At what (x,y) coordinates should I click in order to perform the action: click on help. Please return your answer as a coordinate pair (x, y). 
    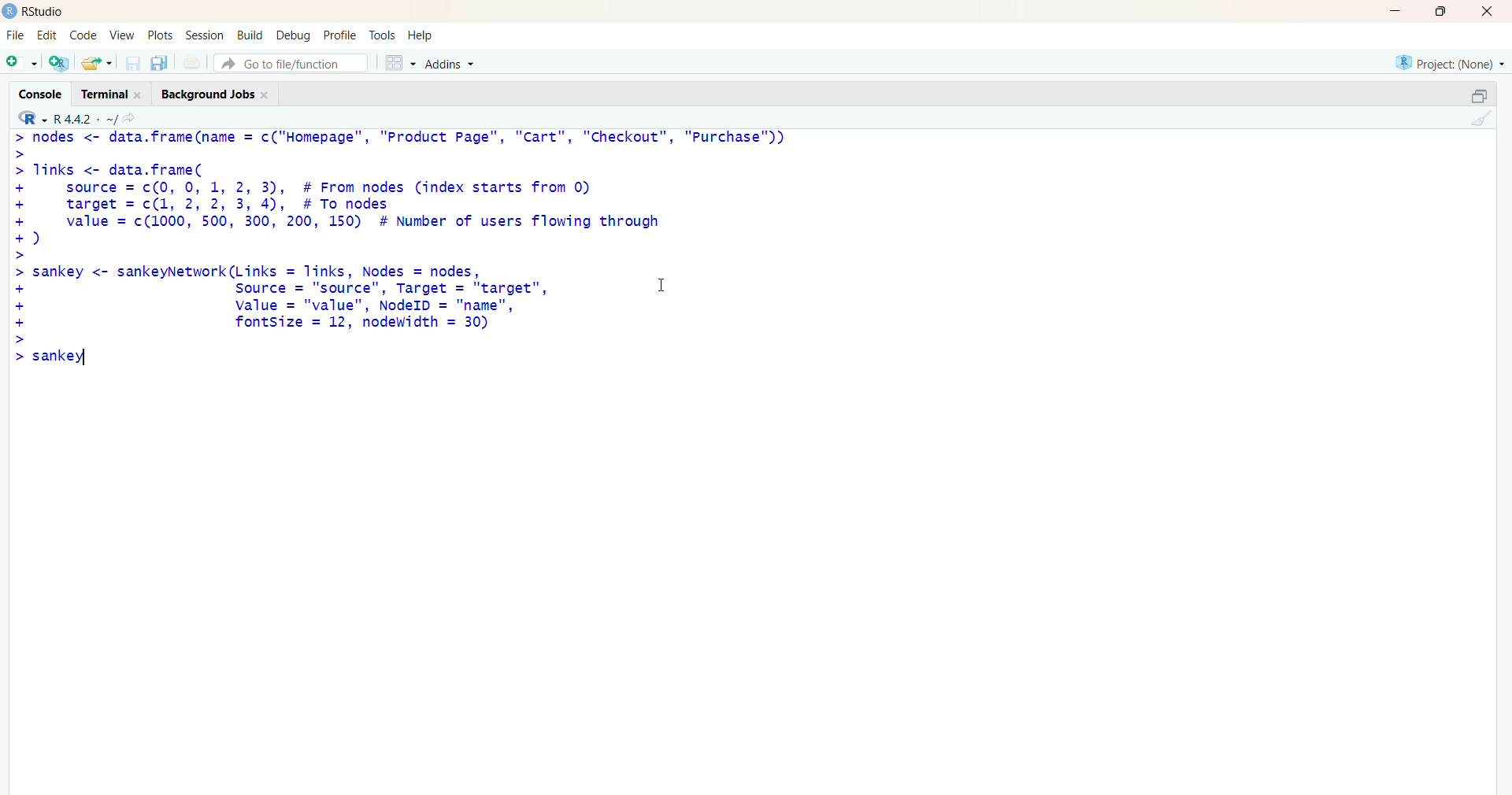
    Looking at the image, I should click on (429, 35).